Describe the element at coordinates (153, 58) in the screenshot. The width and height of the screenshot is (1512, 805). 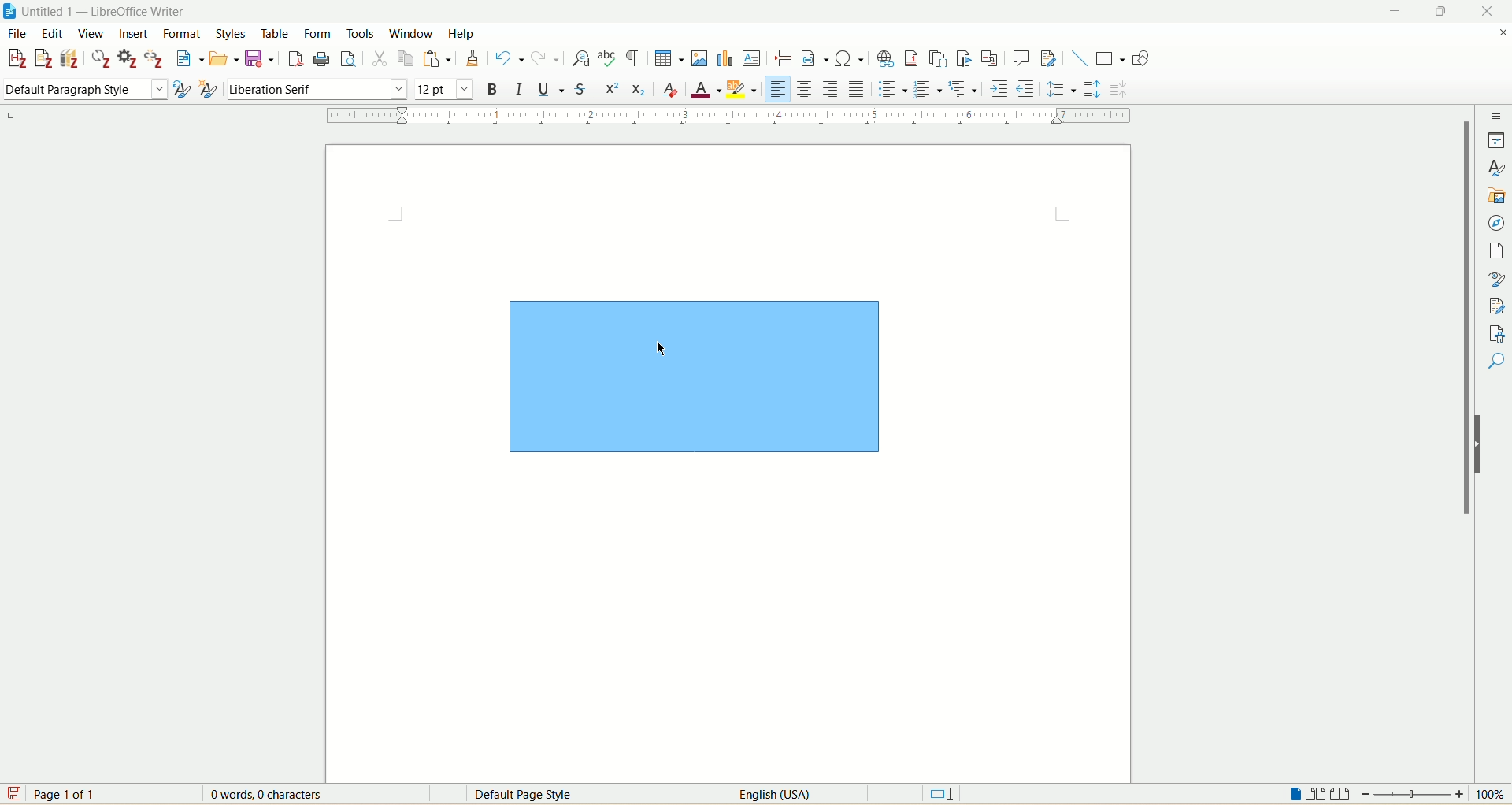
I see `unlink citation` at that location.